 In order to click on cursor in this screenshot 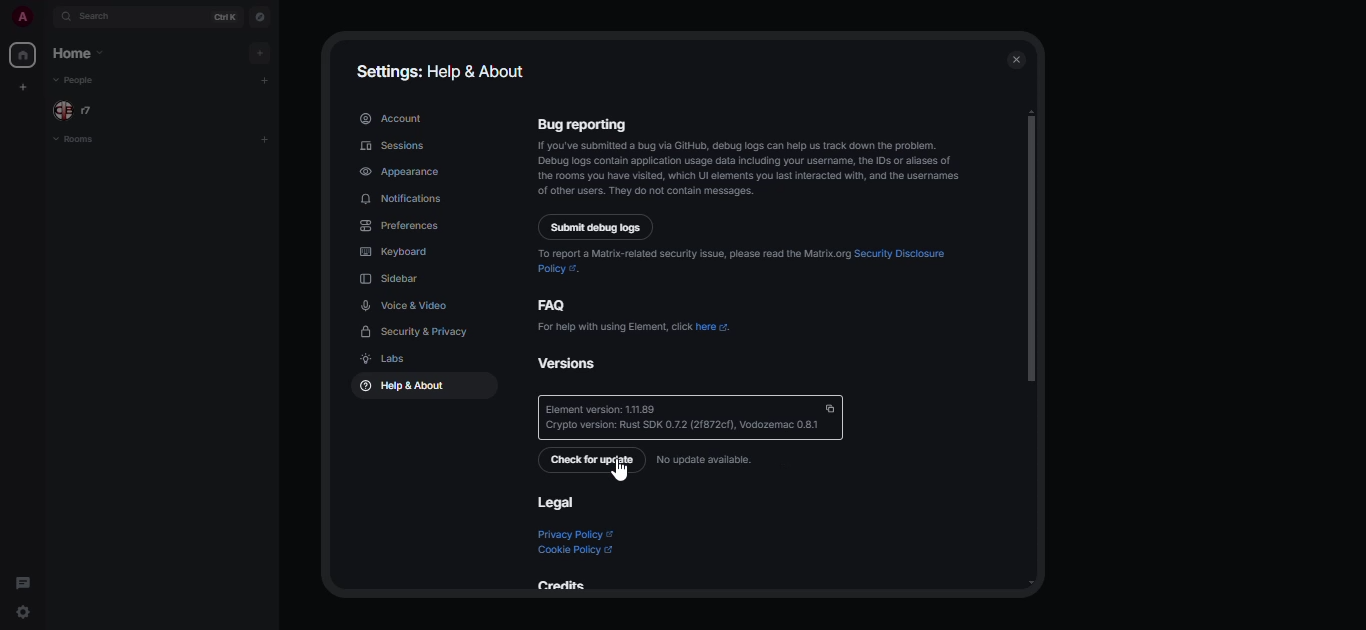, I will do `click(620, 473)`.